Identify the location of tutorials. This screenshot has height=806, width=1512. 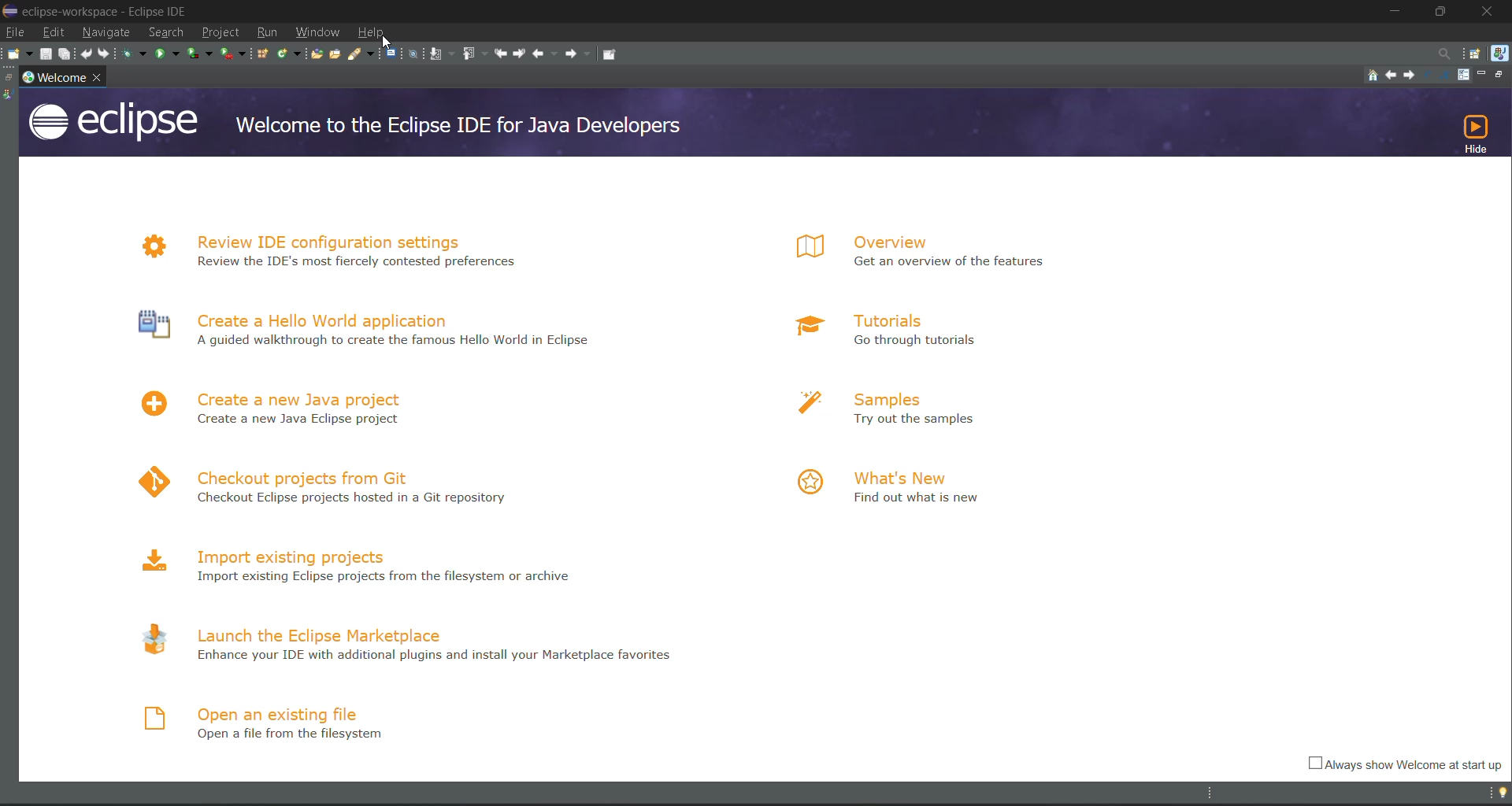
(892, 320).